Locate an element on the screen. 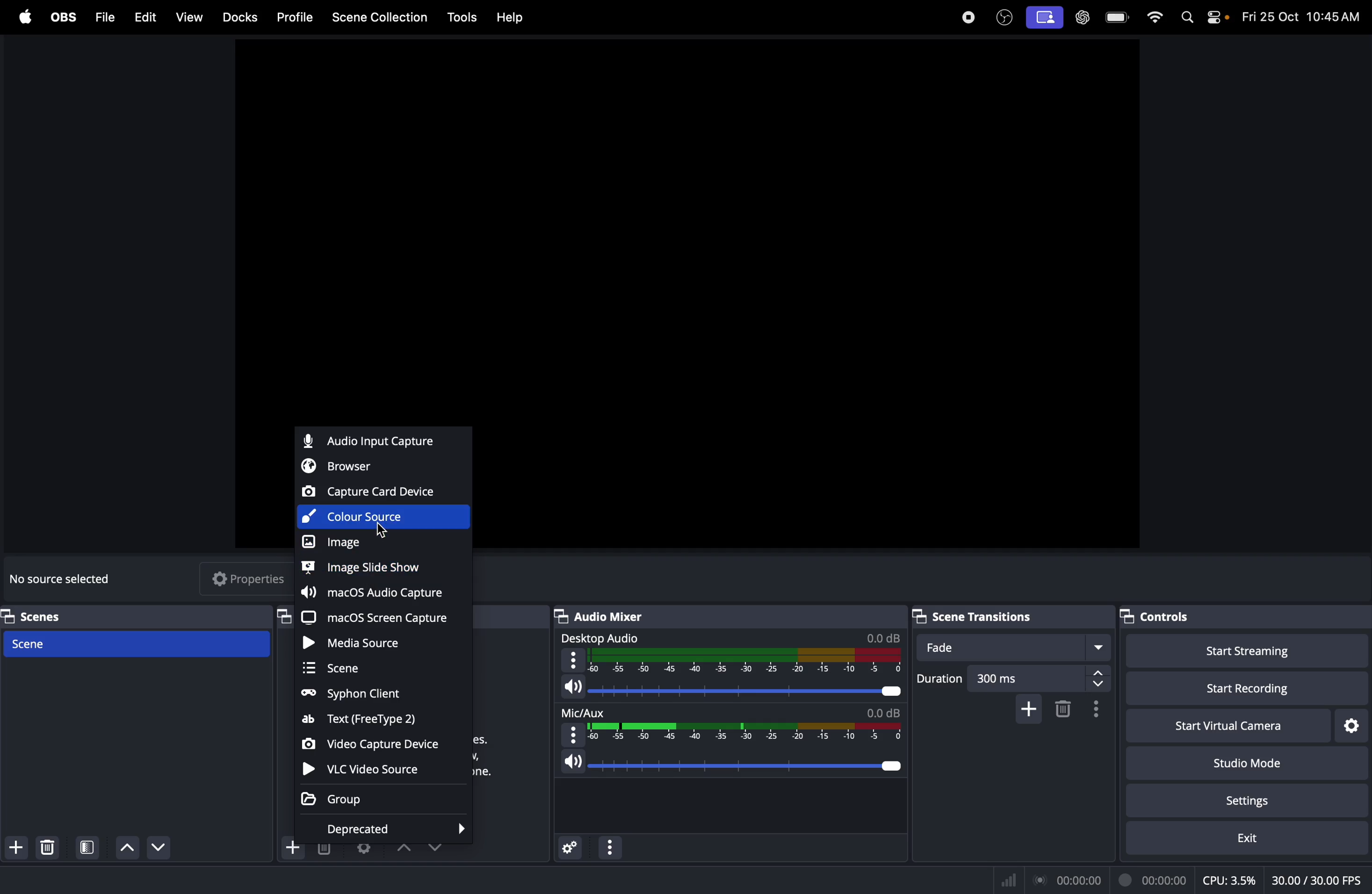 This screenshot has width=1372, height=894. Cursor is located at coordinates (383, 529).